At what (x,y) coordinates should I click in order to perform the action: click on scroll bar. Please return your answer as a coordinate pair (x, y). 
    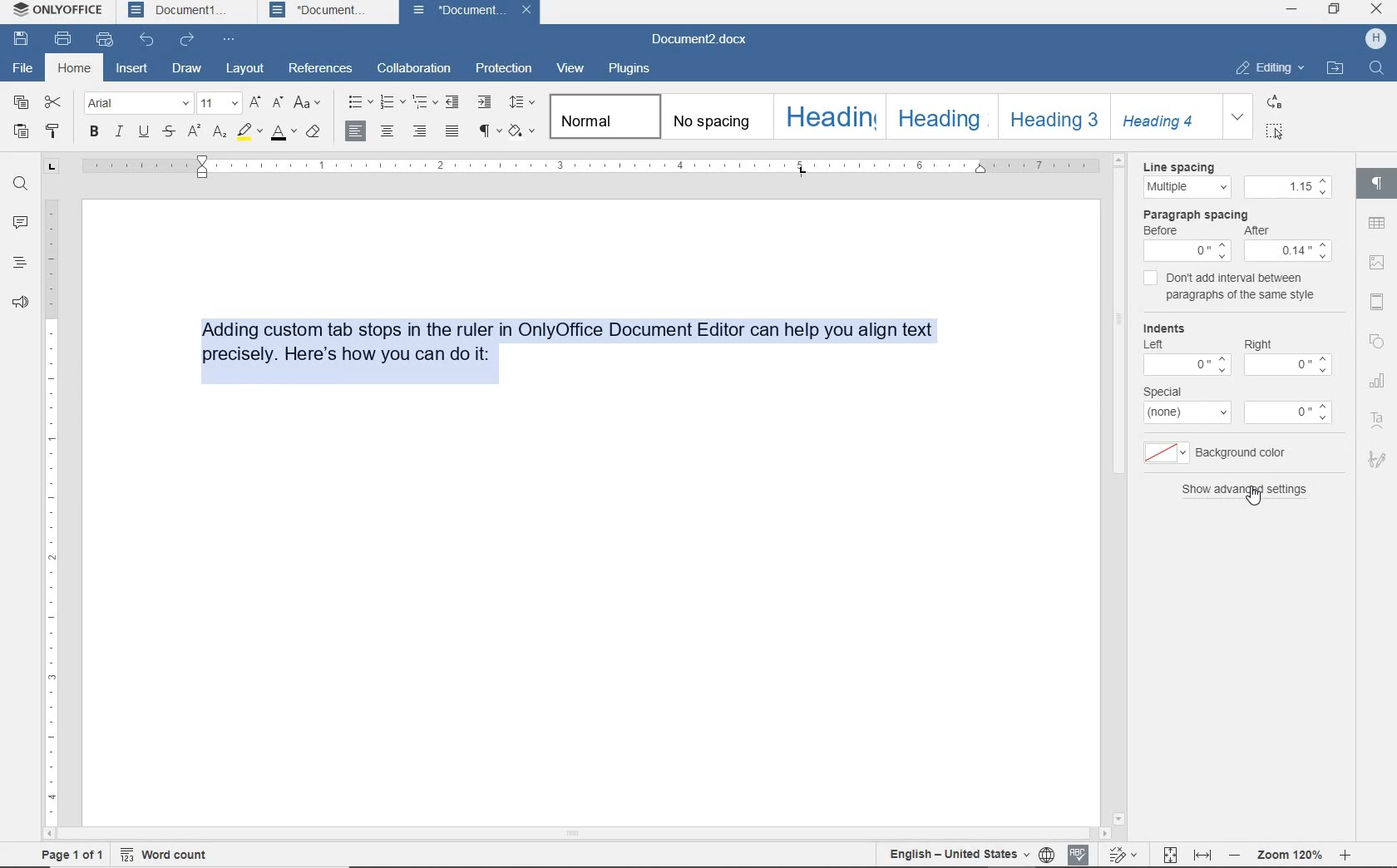
    Looking at the image, I should click on (1117, 488).